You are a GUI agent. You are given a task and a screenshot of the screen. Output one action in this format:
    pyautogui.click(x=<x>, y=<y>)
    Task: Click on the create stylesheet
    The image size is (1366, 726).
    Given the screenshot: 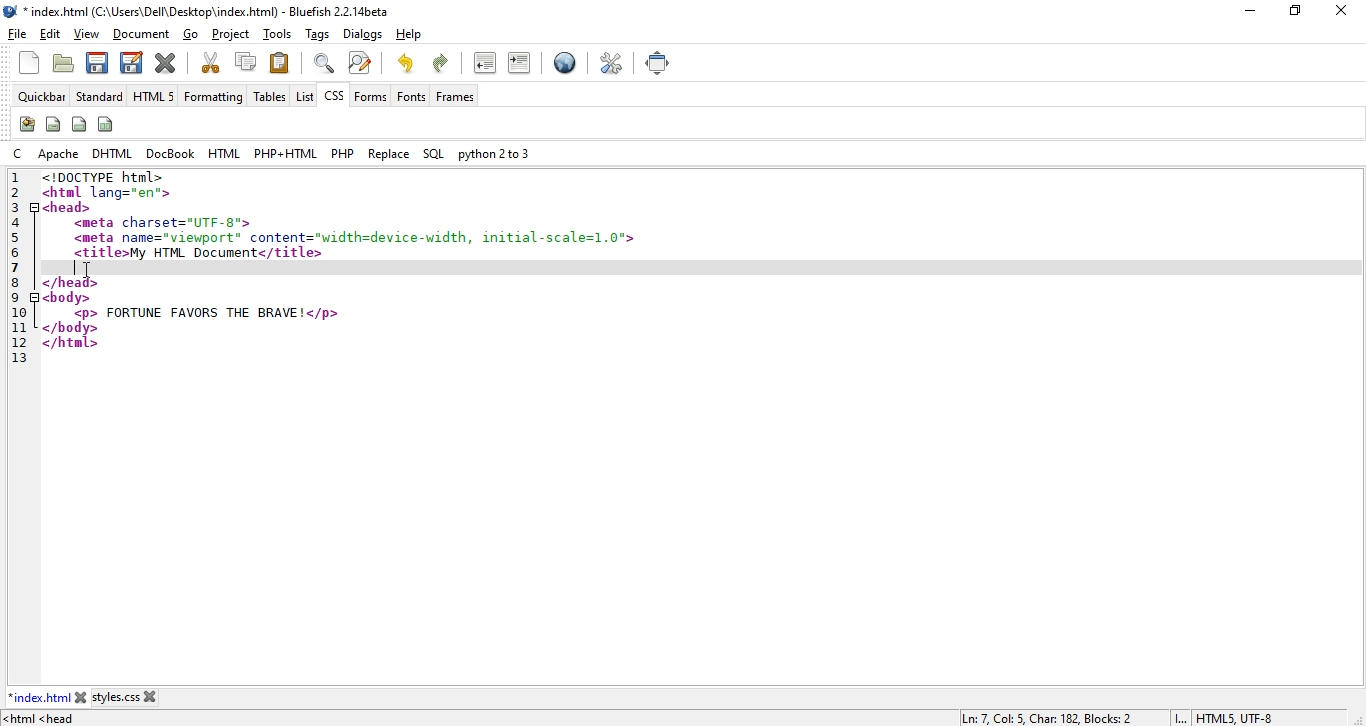 What is the action you would take?
    pyautogui.click(x=26, y=124)
    